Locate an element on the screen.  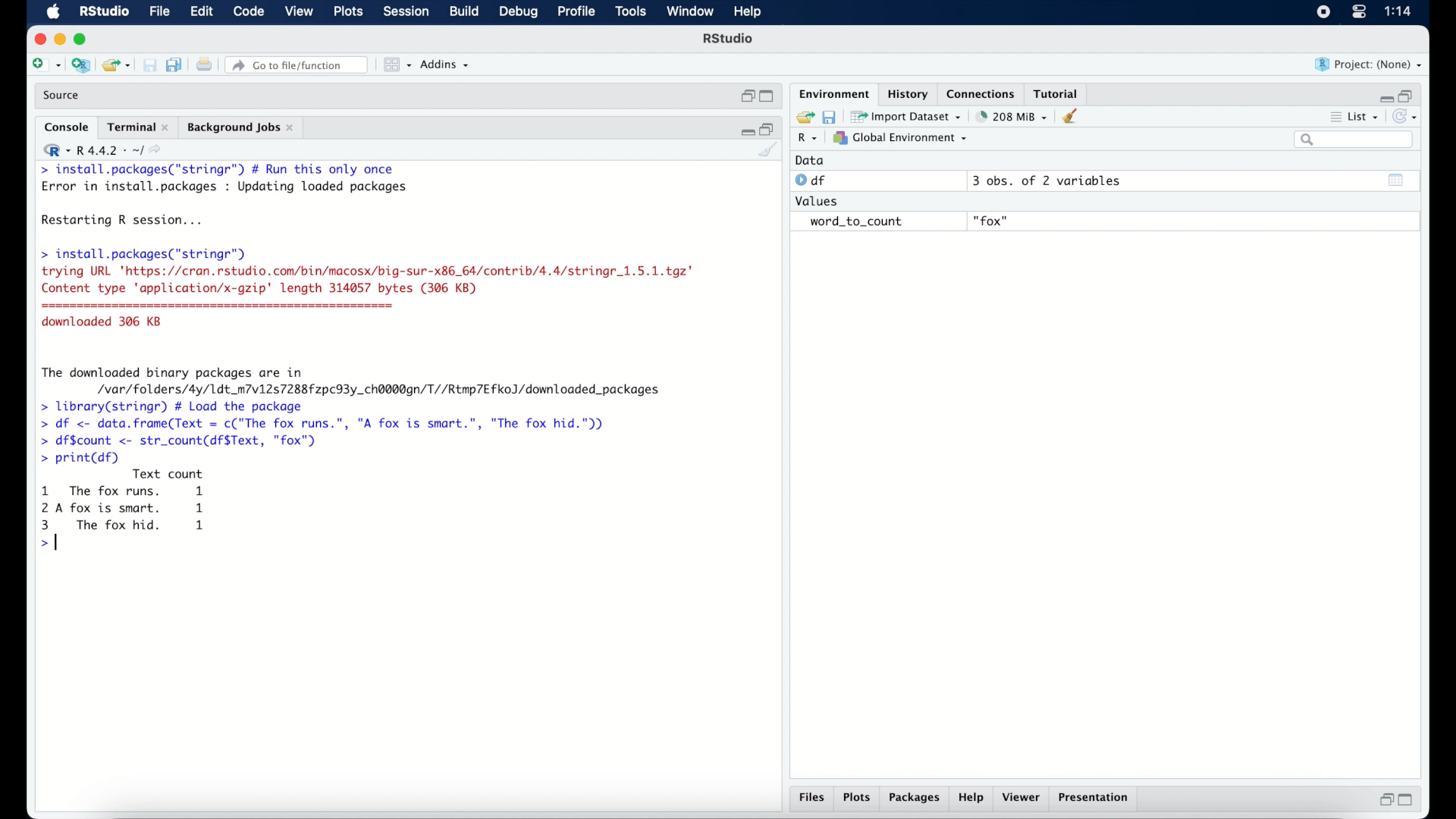
help is located at coordinates (750, 13).